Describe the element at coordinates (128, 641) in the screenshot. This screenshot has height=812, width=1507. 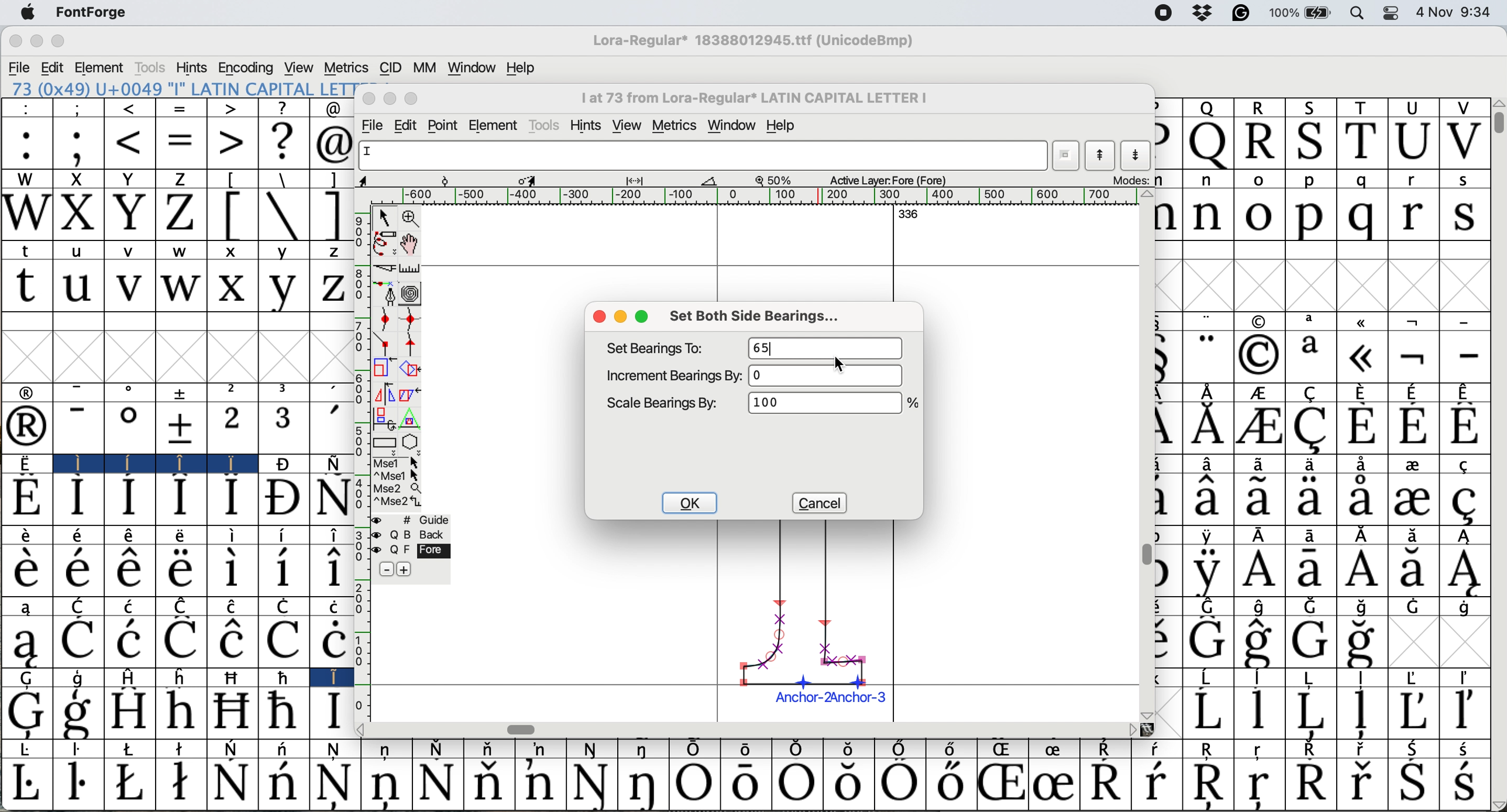
I see `Symbol` at that location.